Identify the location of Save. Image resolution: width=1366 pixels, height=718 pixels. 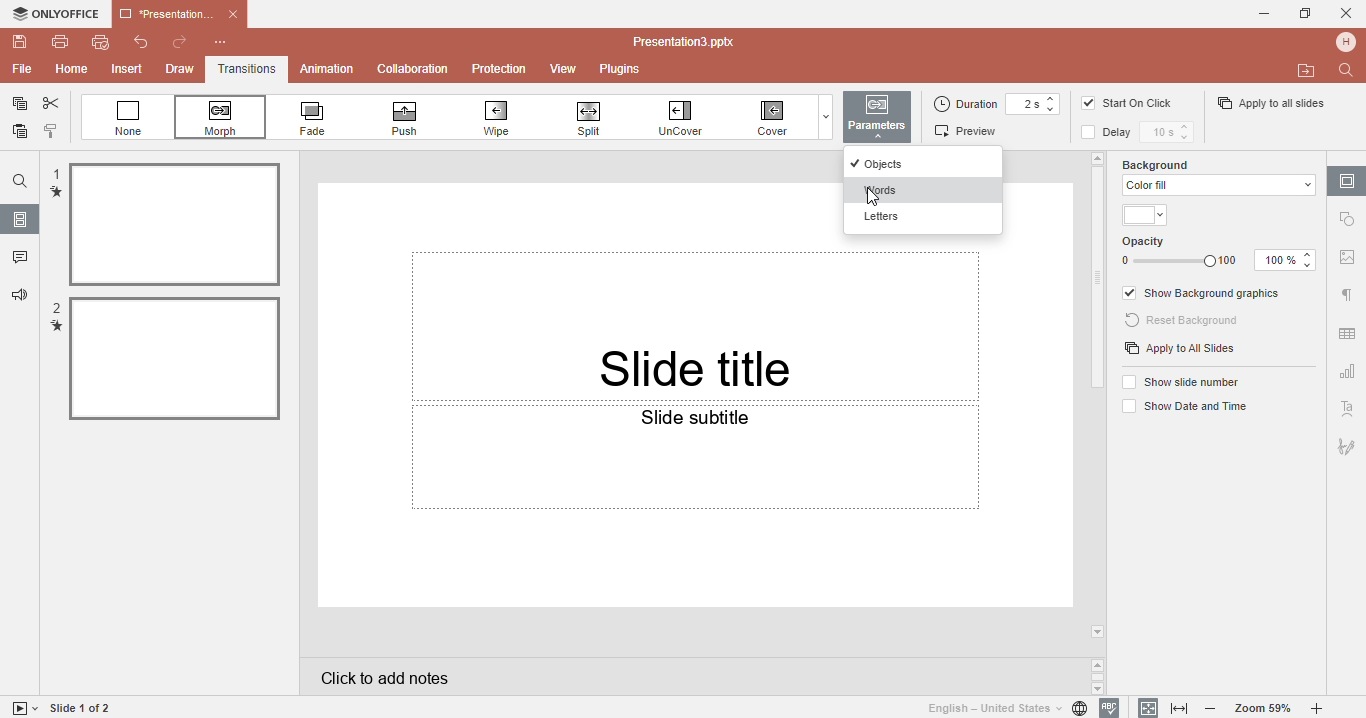
(17, 42).